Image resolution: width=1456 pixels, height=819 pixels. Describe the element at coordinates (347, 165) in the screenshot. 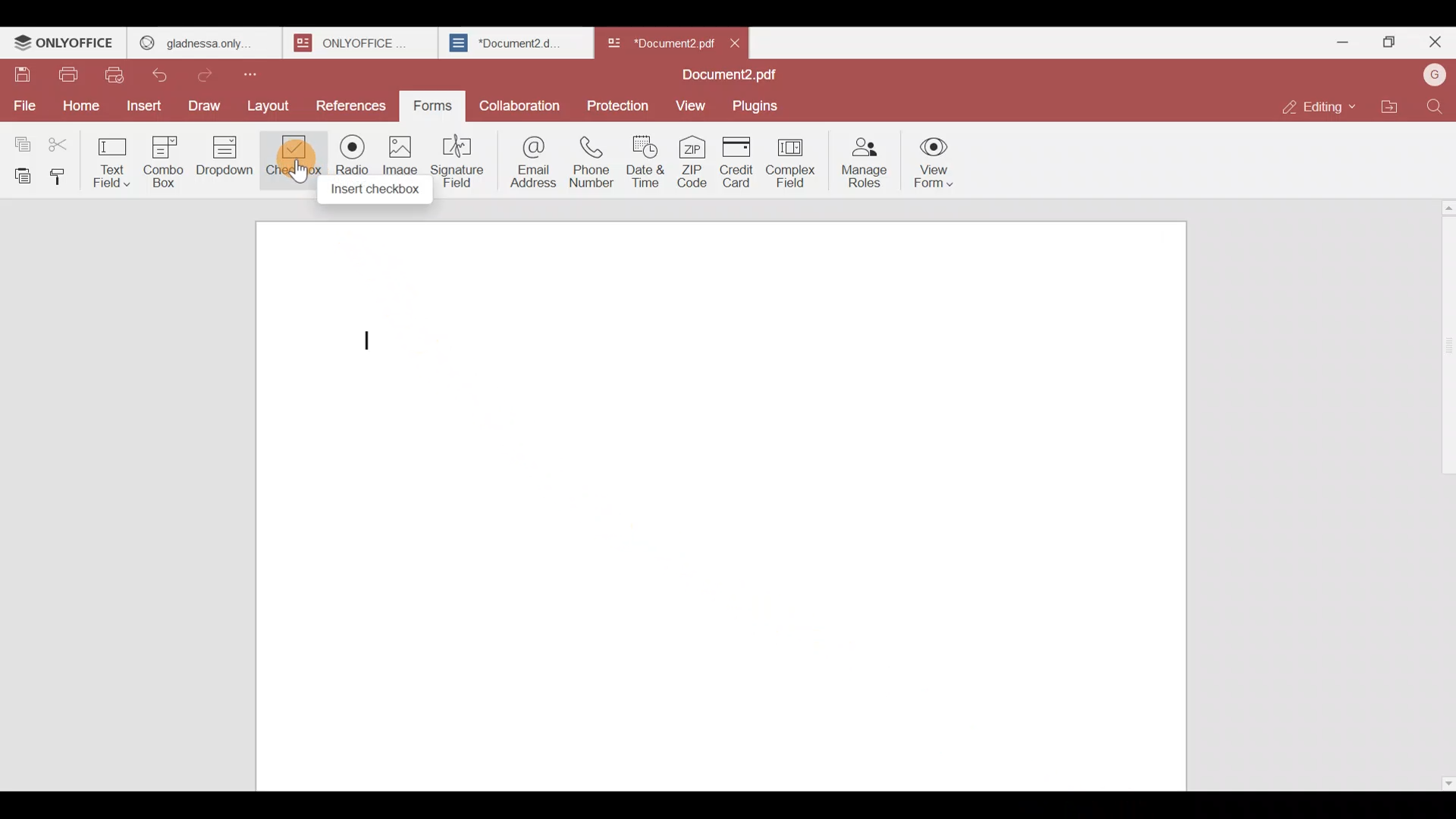

I see `Radio` at that location.